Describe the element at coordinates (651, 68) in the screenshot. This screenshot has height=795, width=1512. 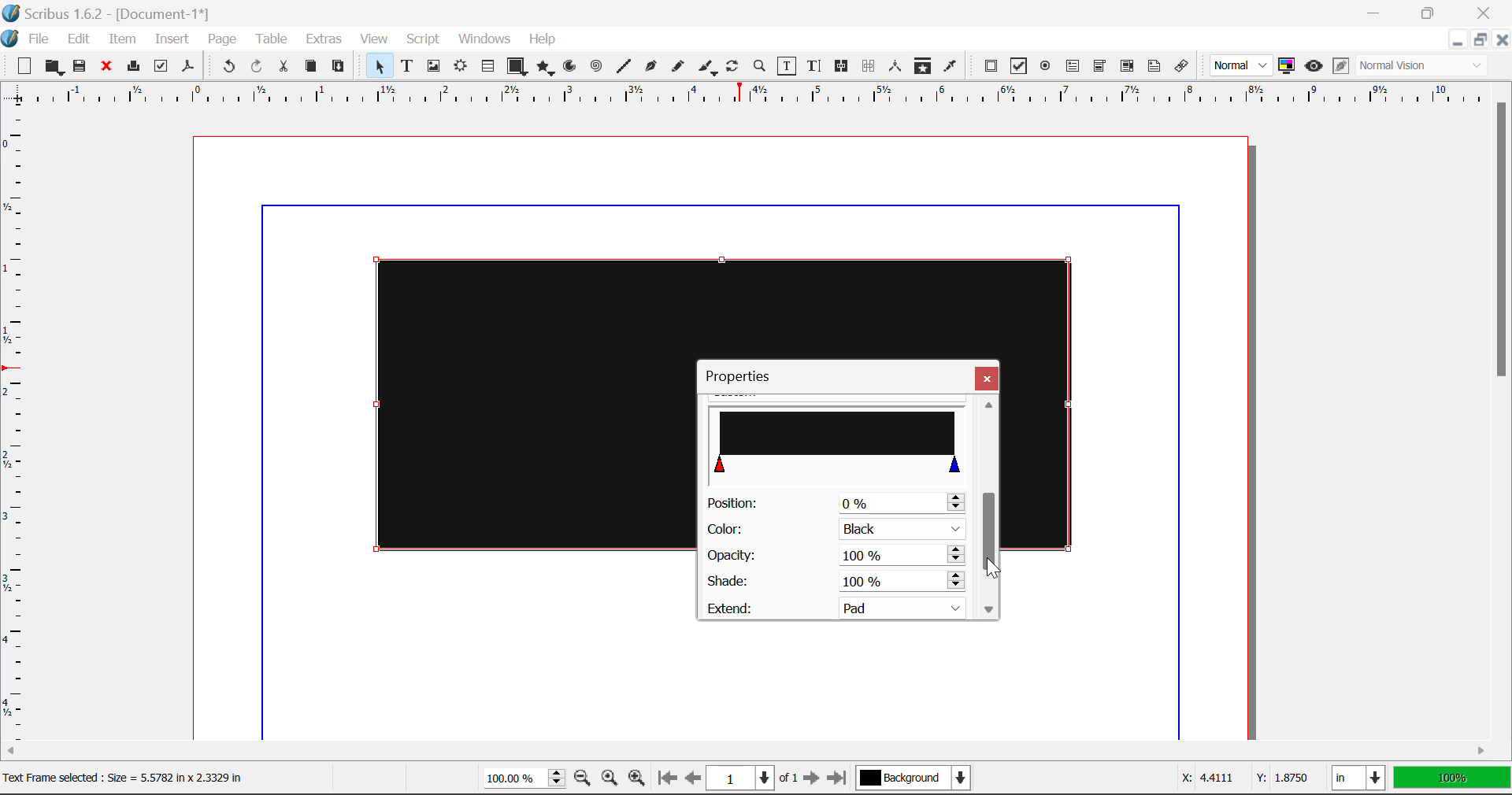
I see `Bezier Curve` at that location.